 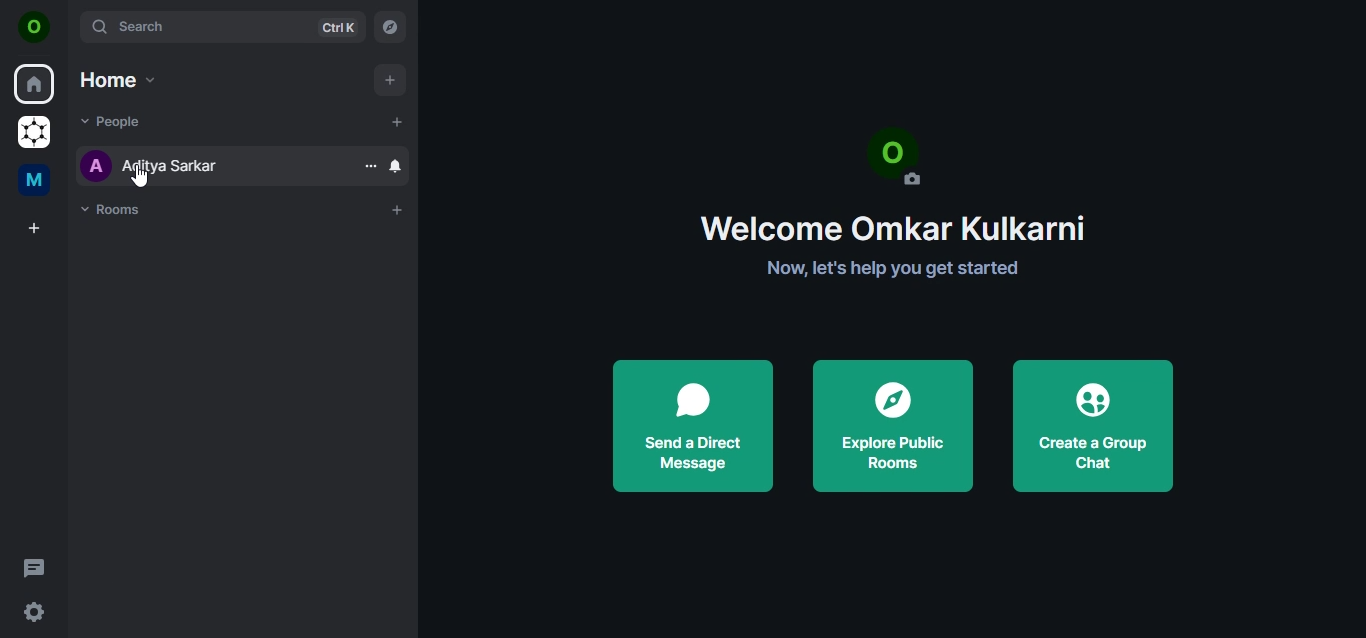 What do you see at coordinates (116, 79) in the screenshot?
I see `home` at bounding box center [116, 79].